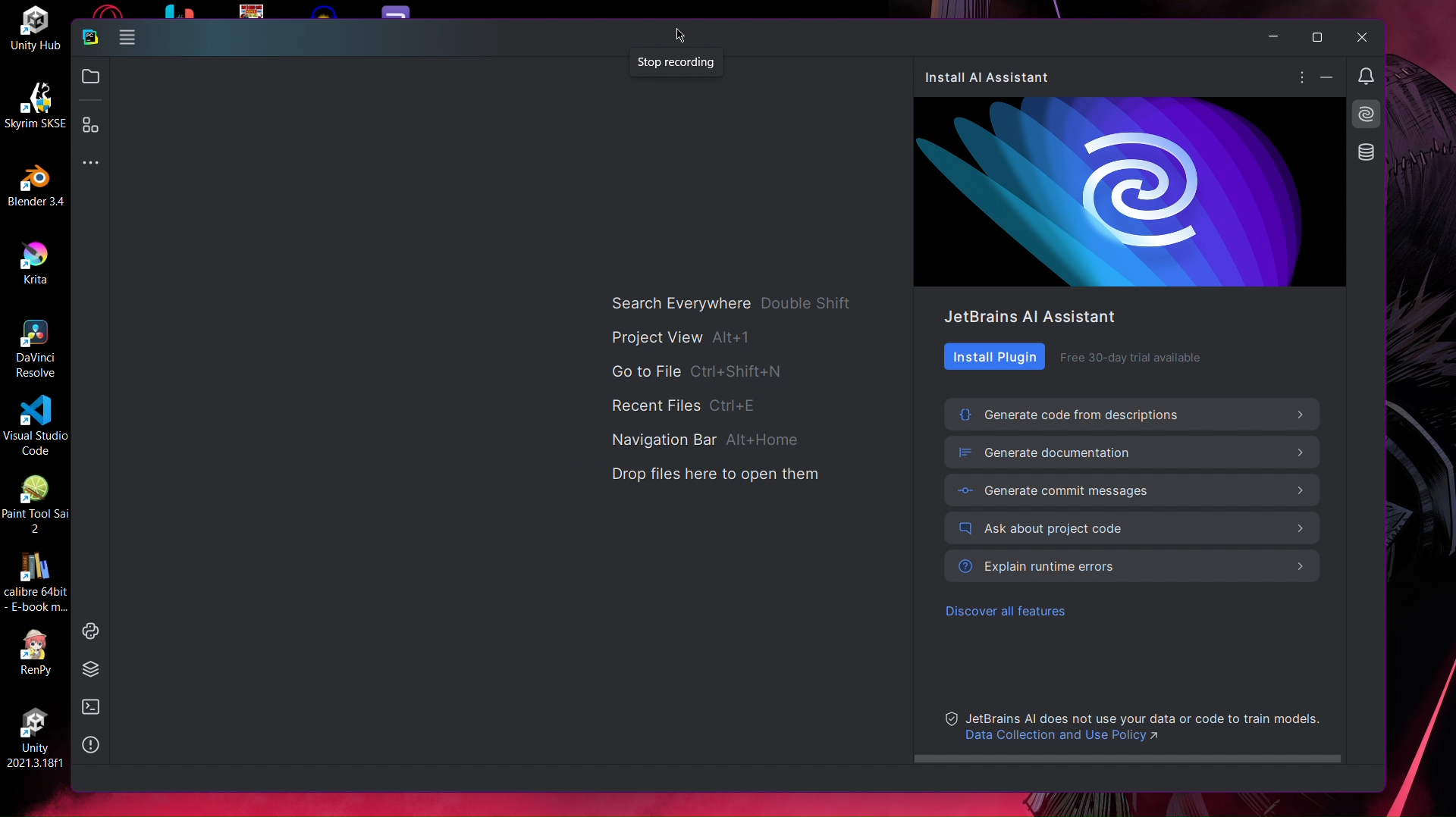 The width and height of the screenshot is (1456, 817). Describe the element at coordinates (1071, 738) in the screenshot. I see `Data Collection and Use Policy .` at that location.